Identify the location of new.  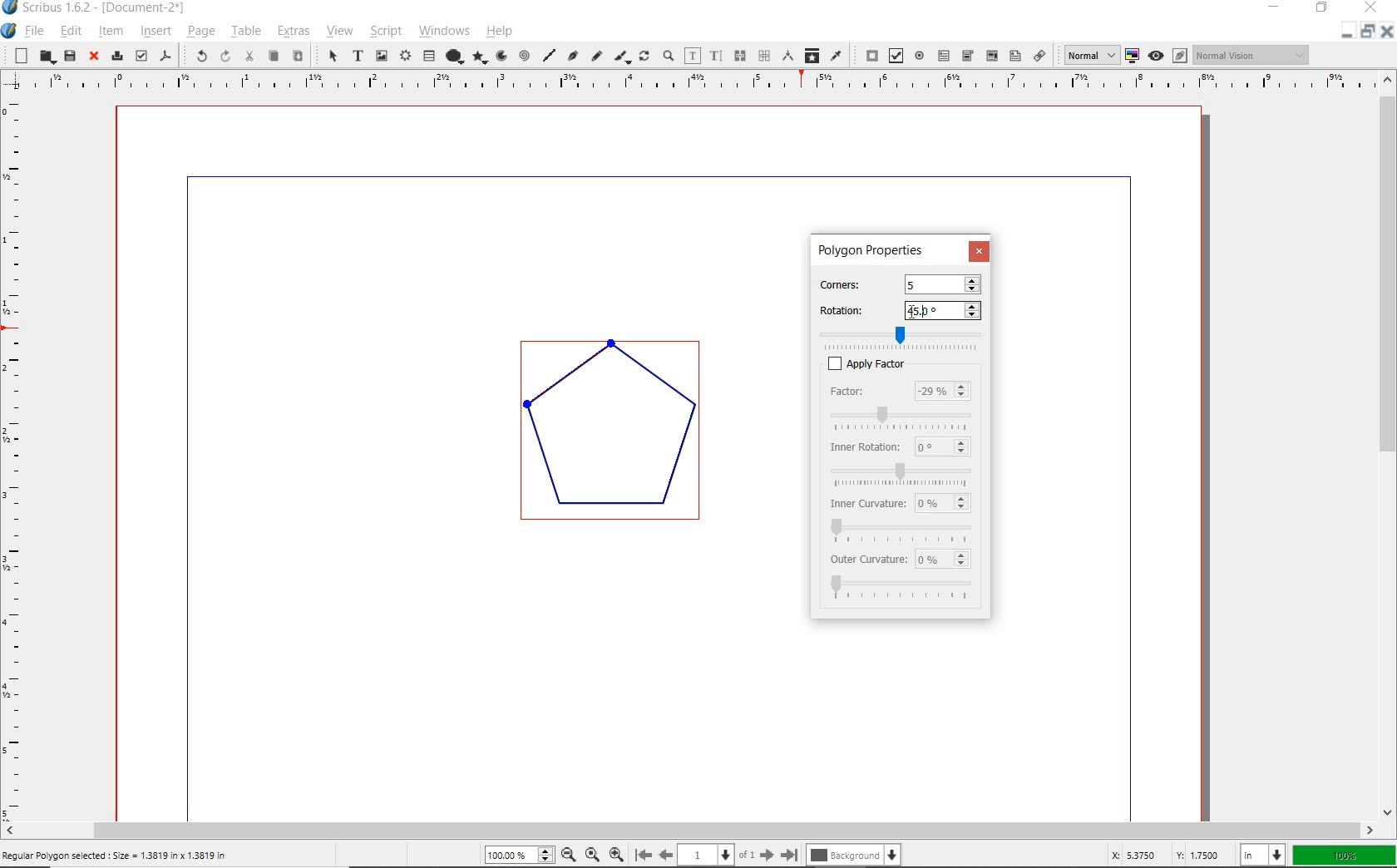
(17, 56).